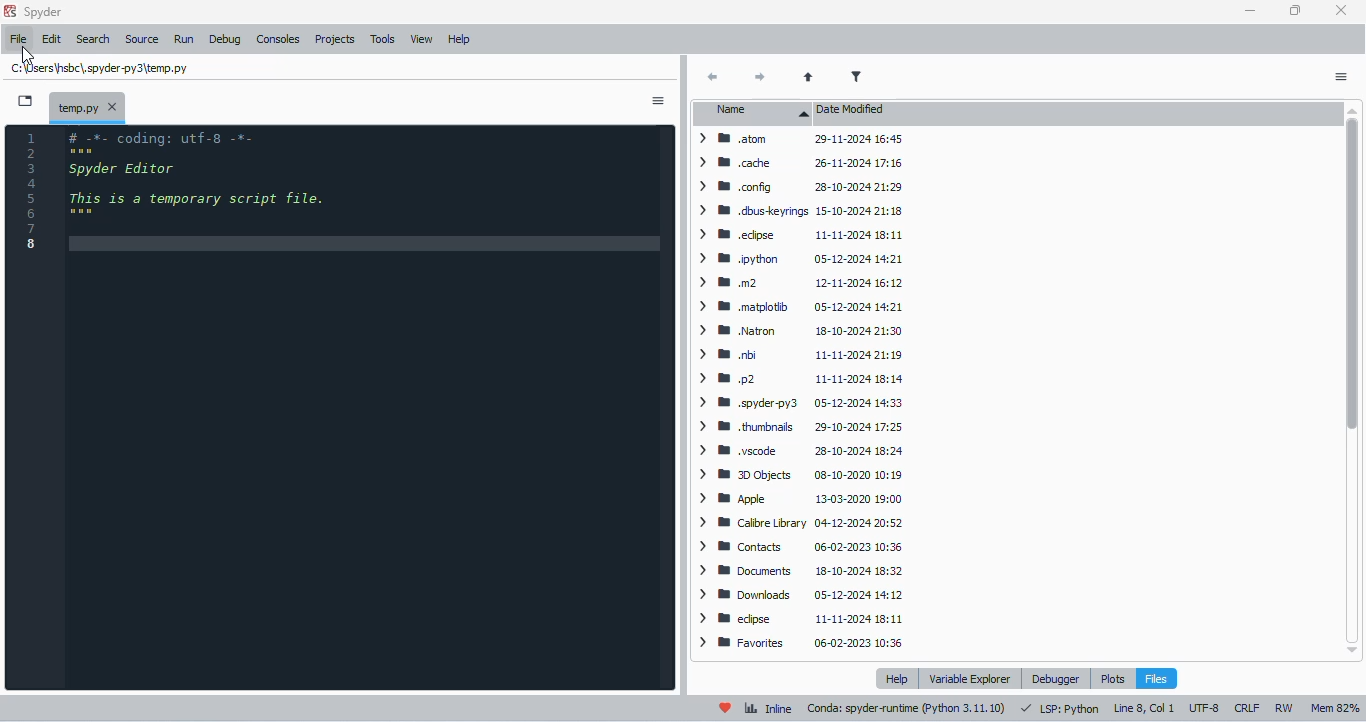 The width and height of the screenshot is (1366, 722). Describe the element at coordinates (797, 356) in the screenshot. I see `> IB nbi 11-11-2024 21:19` at that location.